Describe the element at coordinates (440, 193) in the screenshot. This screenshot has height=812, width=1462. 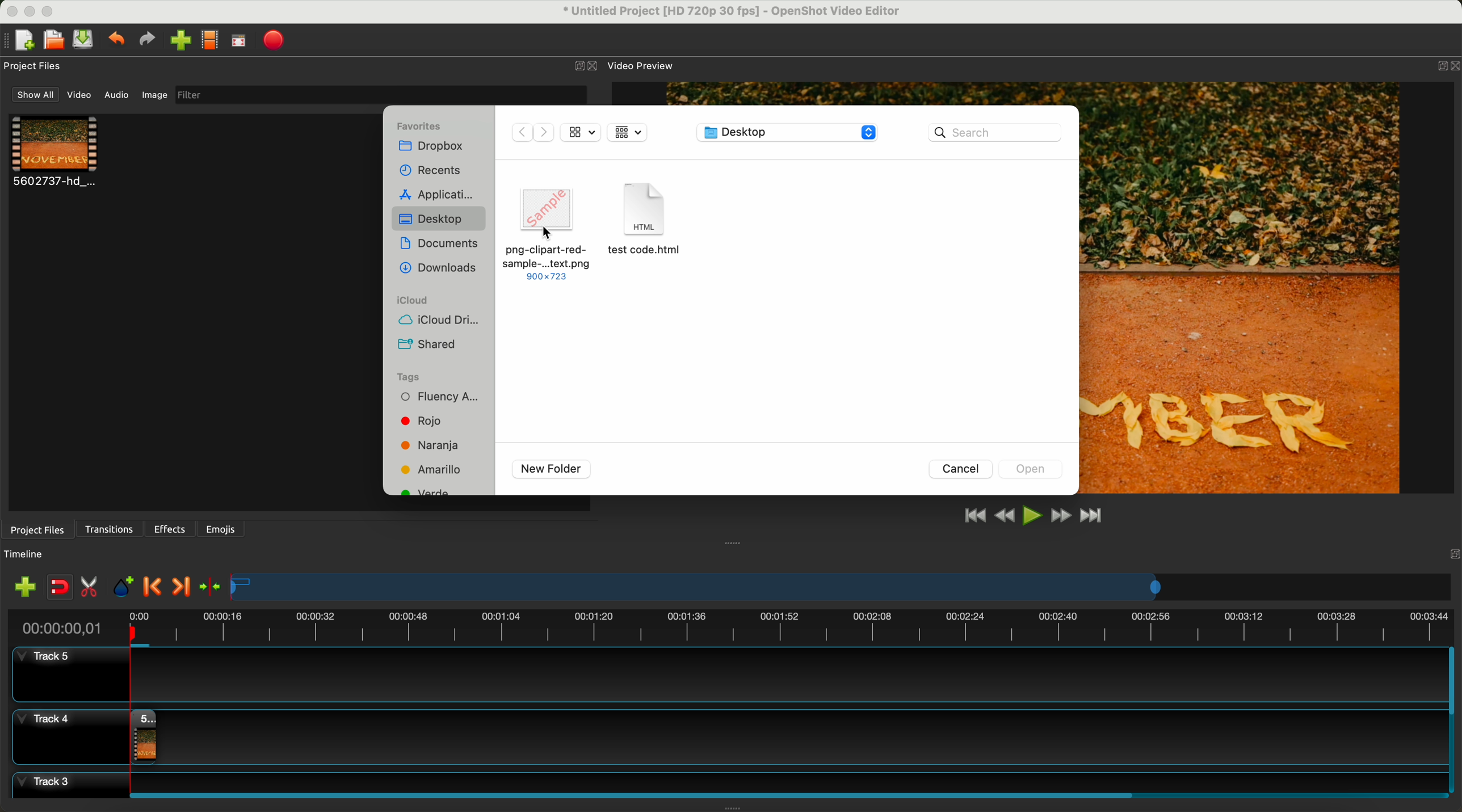
I see `applications` at that location.